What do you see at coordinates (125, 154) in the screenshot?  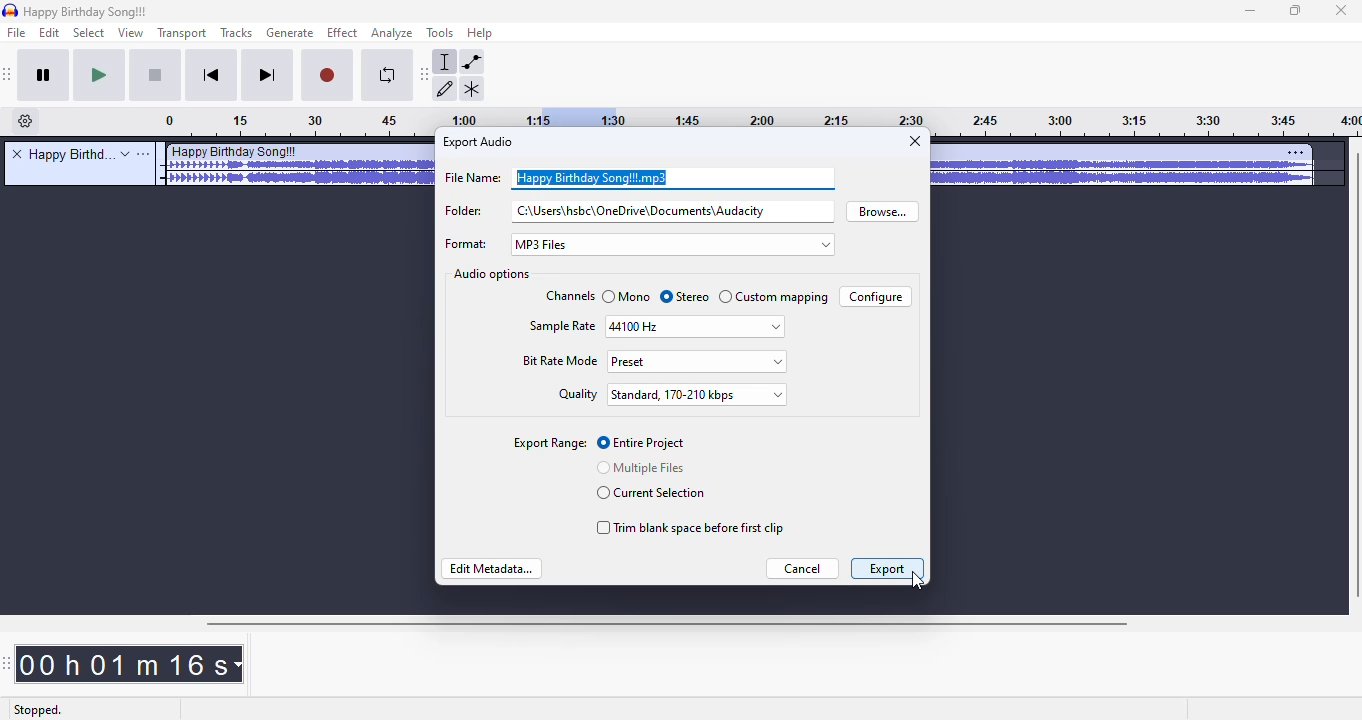 I see `expand` at bounding box center [125, 154].